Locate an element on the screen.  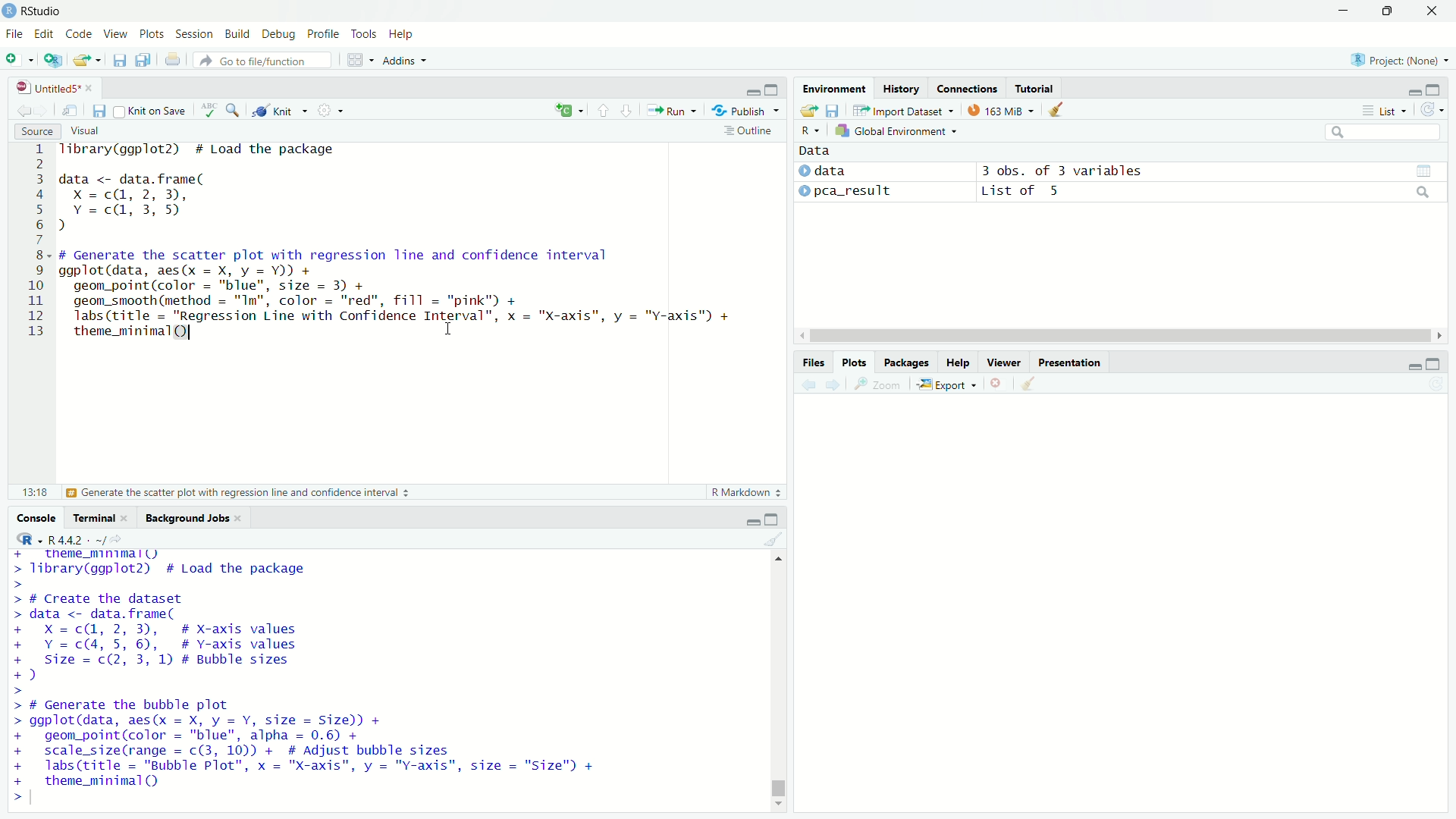
Import Dataset is located at coordinates (904, 109).